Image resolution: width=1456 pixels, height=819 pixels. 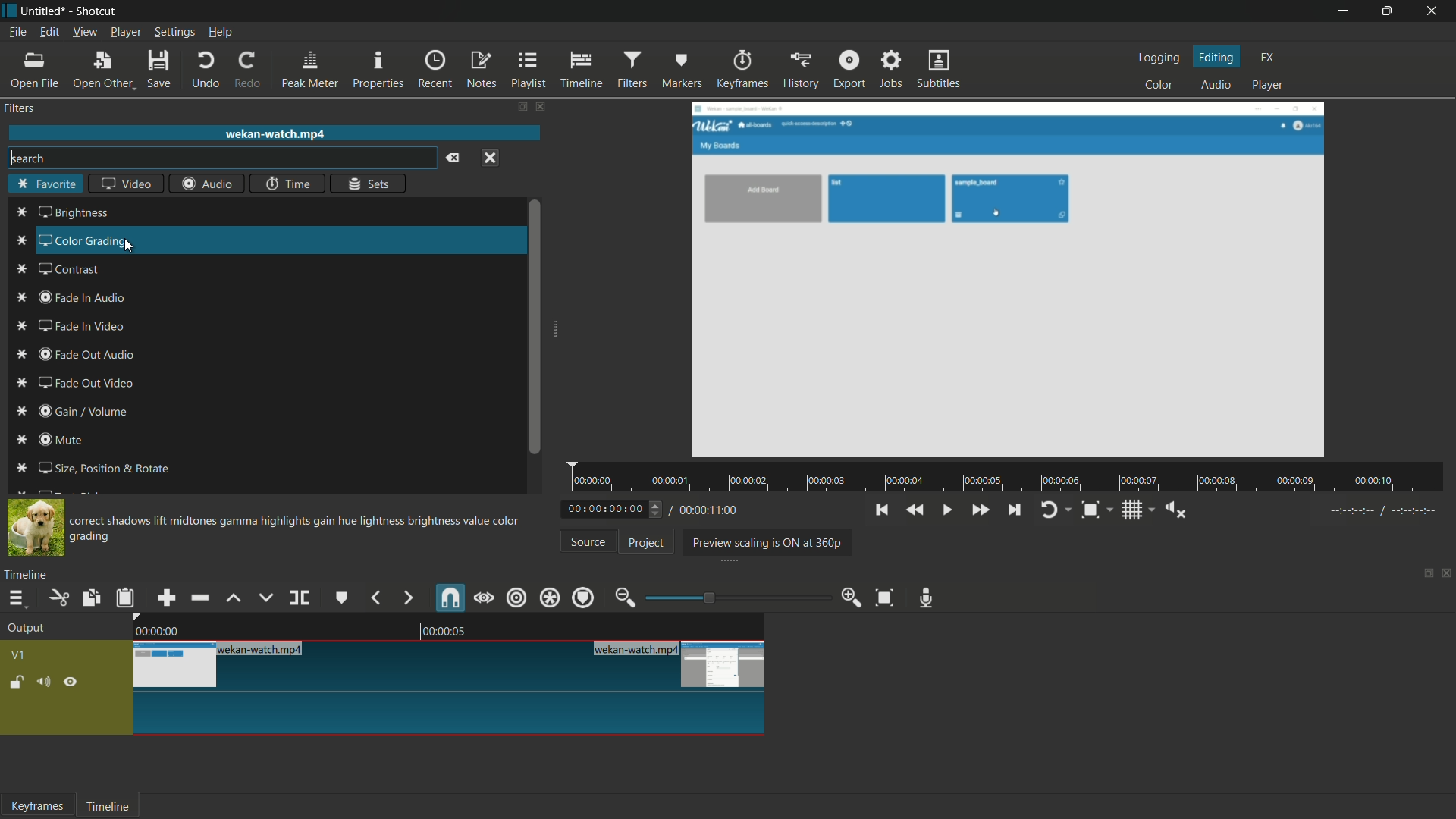 What do you see at coordinates (588, 541) in the screenshot?
I see `source` at bounding box center [588, 541].